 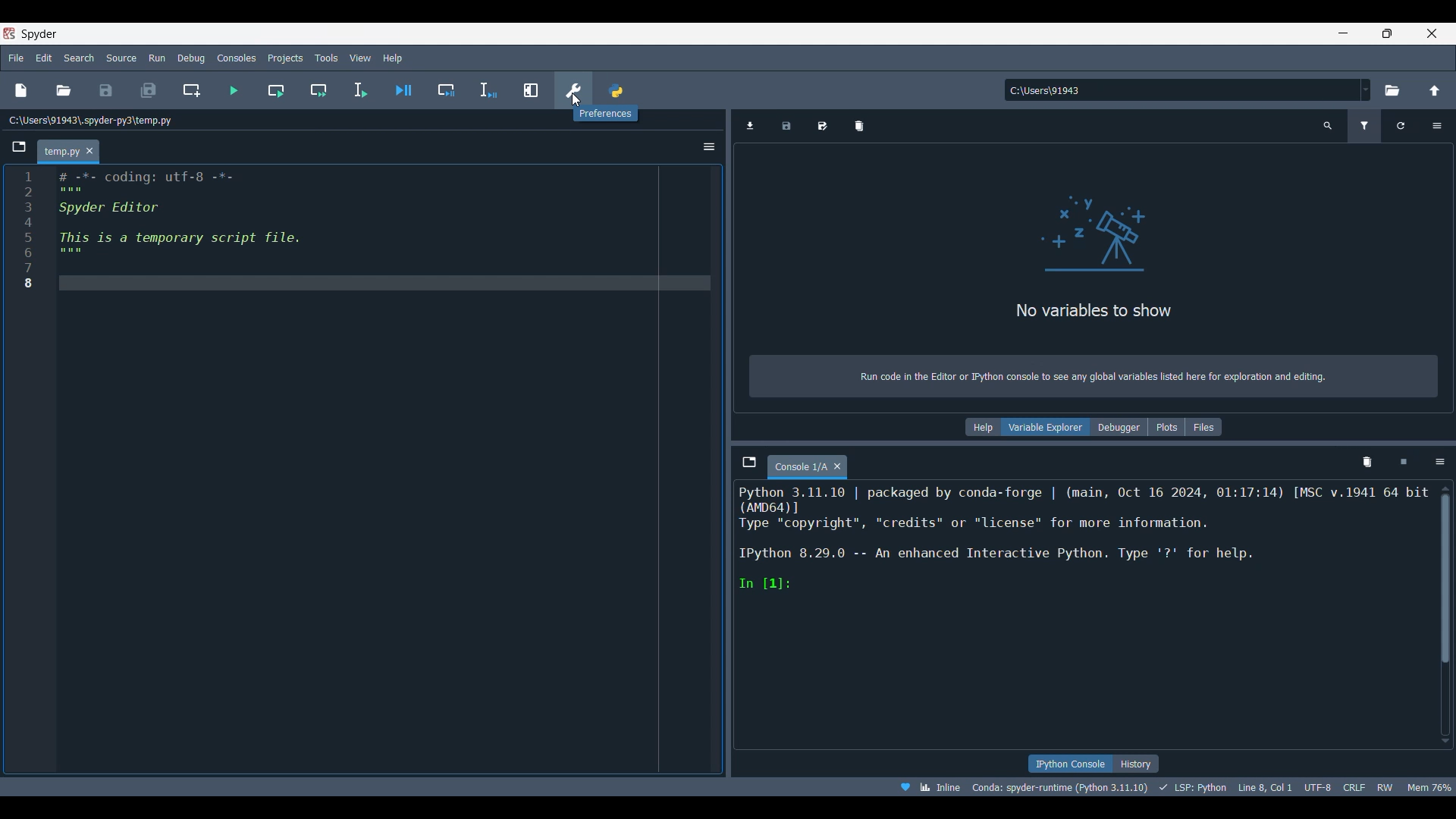 I want to click on ipython console pane, so click(x=1084, y=538).